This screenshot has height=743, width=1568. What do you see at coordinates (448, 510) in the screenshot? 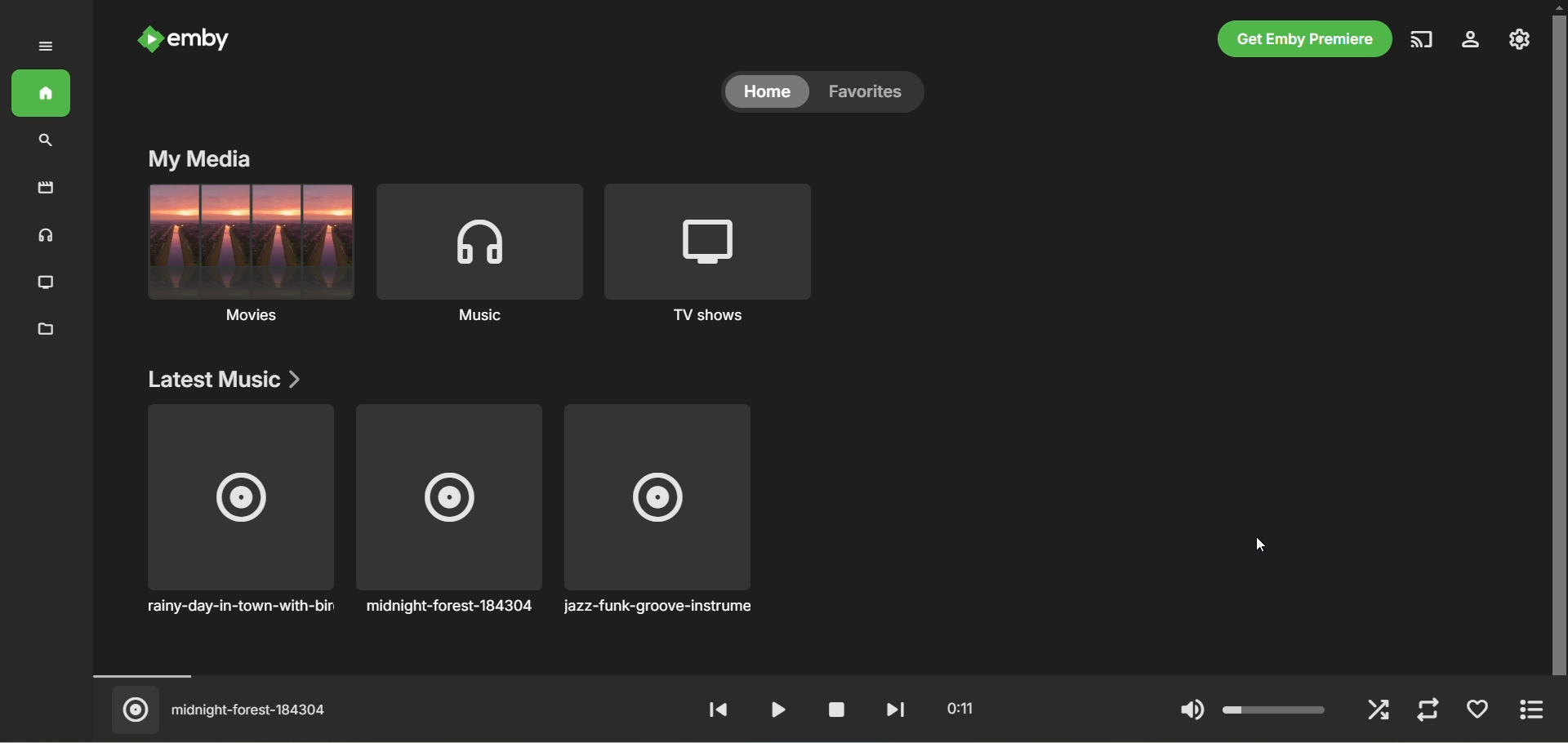
I see `midnight-forest-184304` at bounding box center [448, 510].